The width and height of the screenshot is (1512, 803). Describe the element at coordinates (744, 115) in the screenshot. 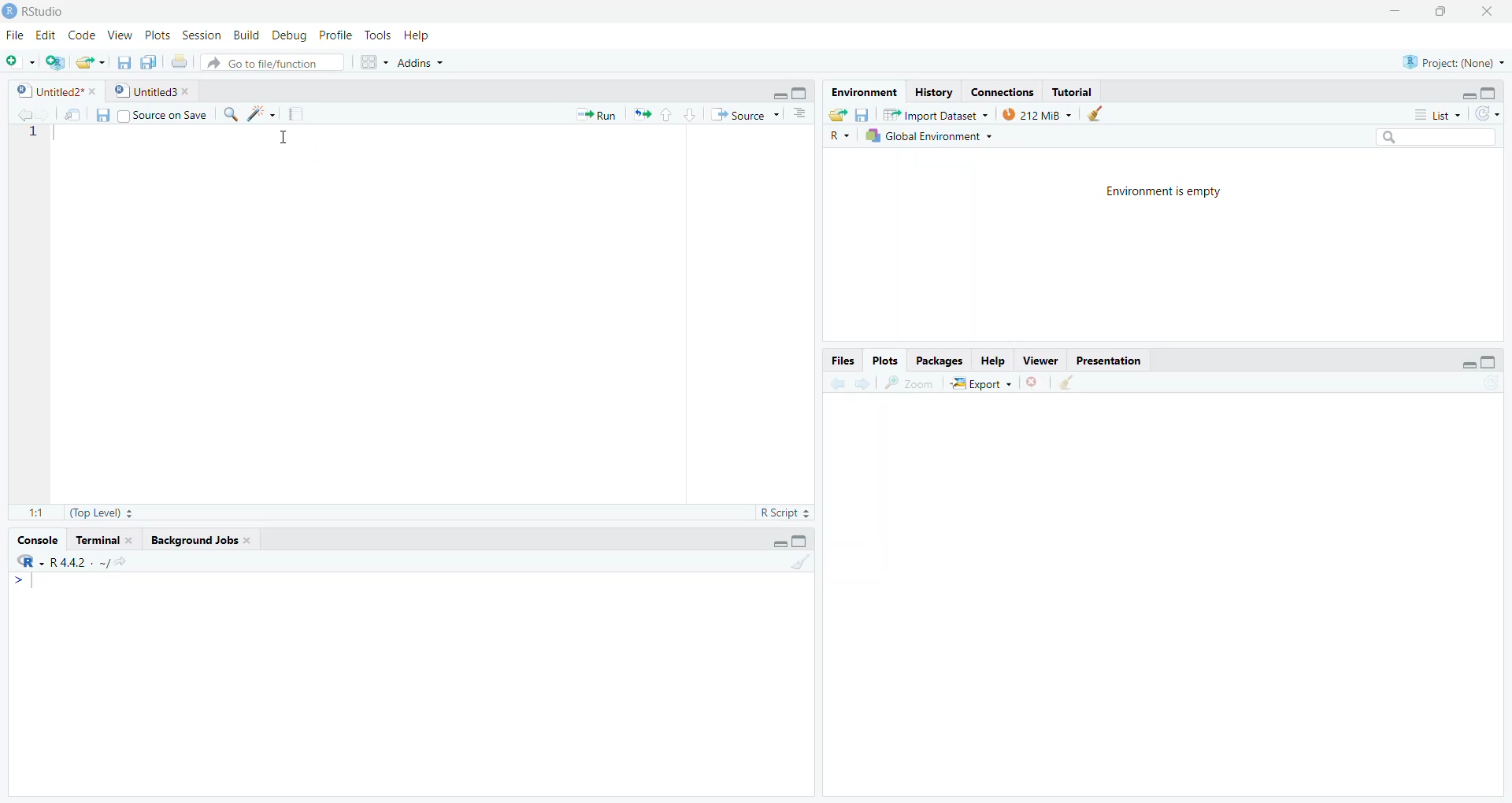

I see `source` at that location.